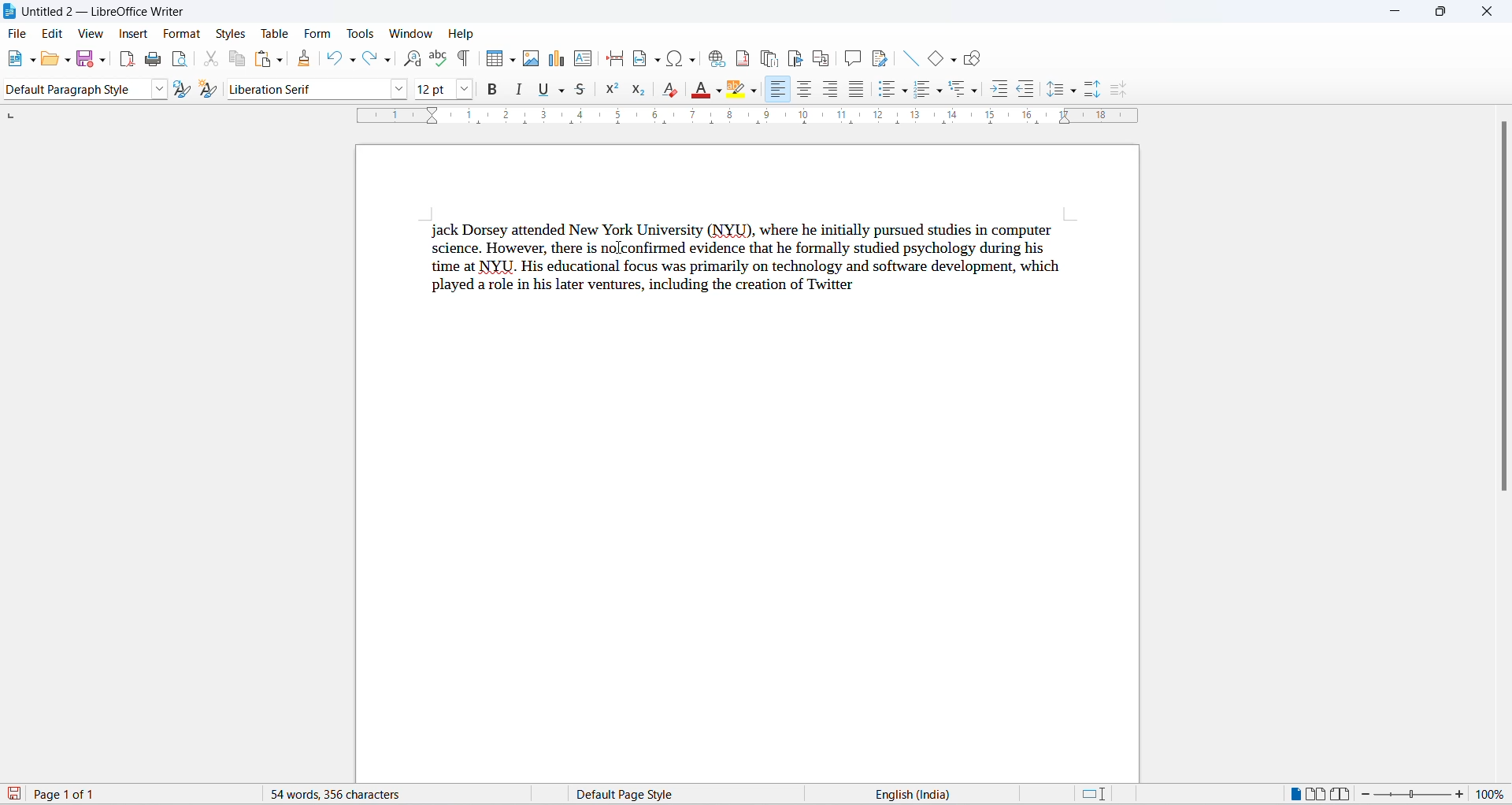 This screenshot has width=1512, height=805. I want to click on styles, so click(231, 34).